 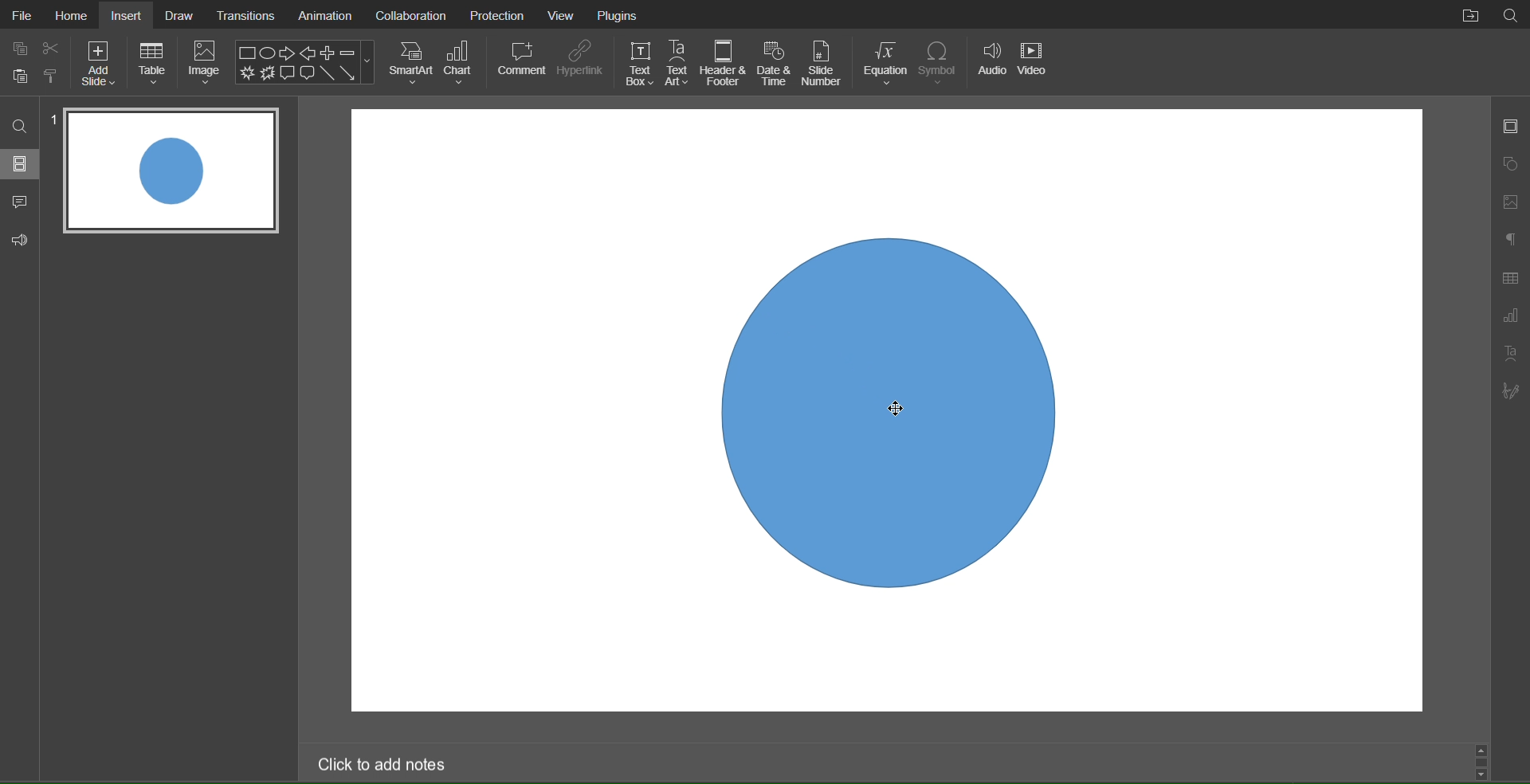 What do you see at coordinates (565, 15) in the screenshot?
I see `View` at bounding box center [565, 15].